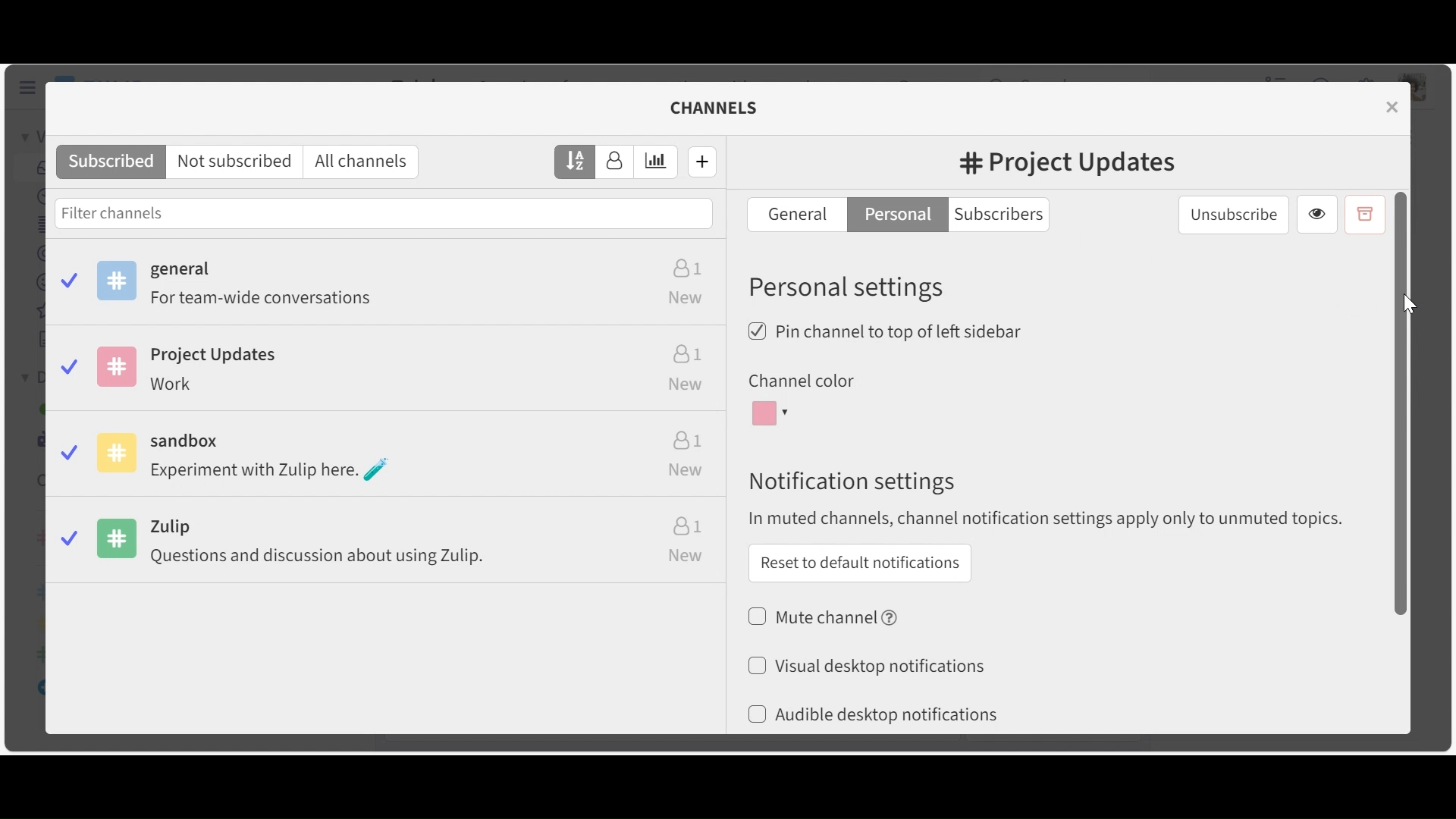  Describe the element at coordinates (366, 162) in the screenshot. I see `All channels` at that location.